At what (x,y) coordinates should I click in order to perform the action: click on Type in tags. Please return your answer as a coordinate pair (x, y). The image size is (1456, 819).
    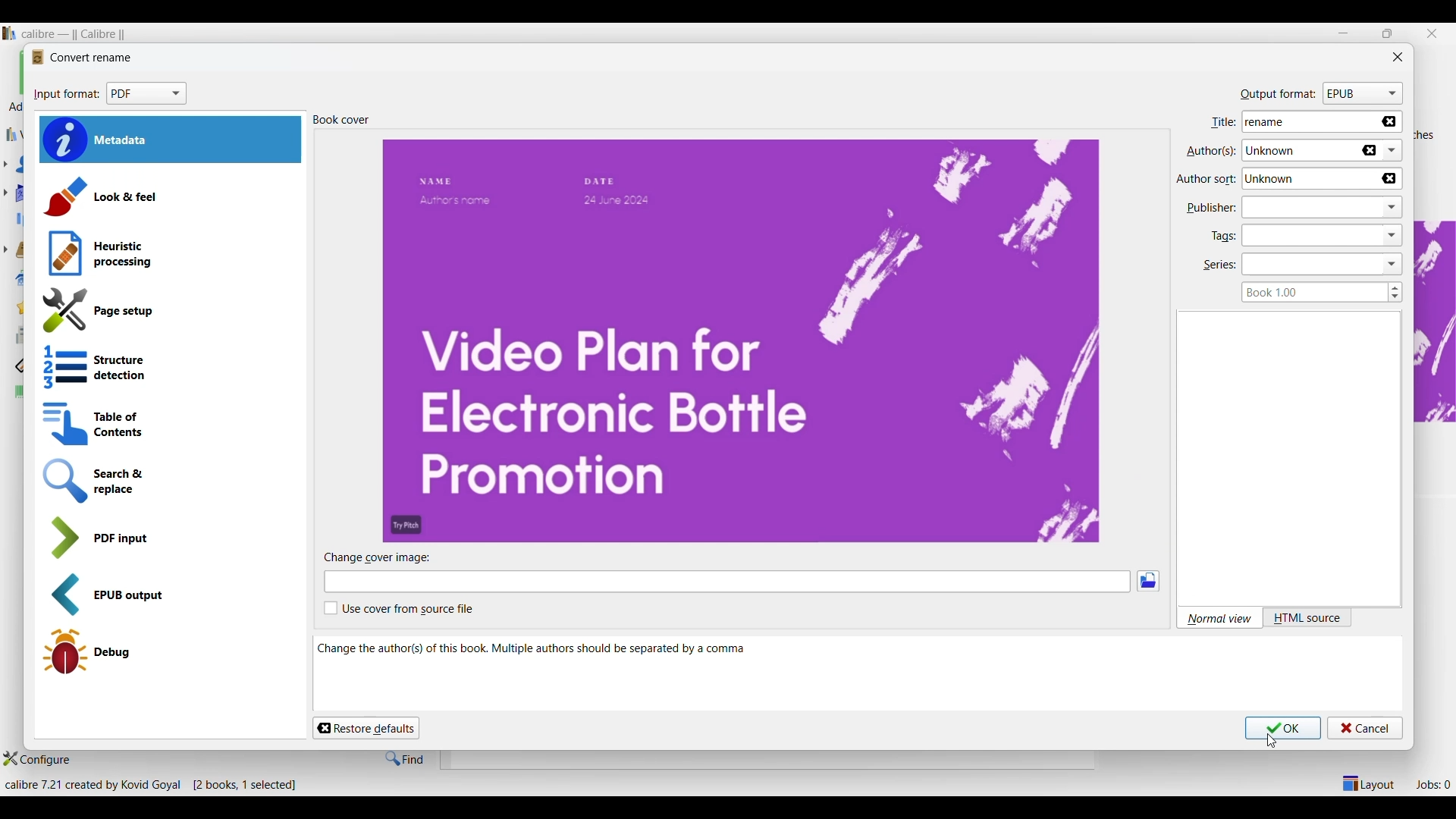
    Looking at the image, I should click on (1310, 236).